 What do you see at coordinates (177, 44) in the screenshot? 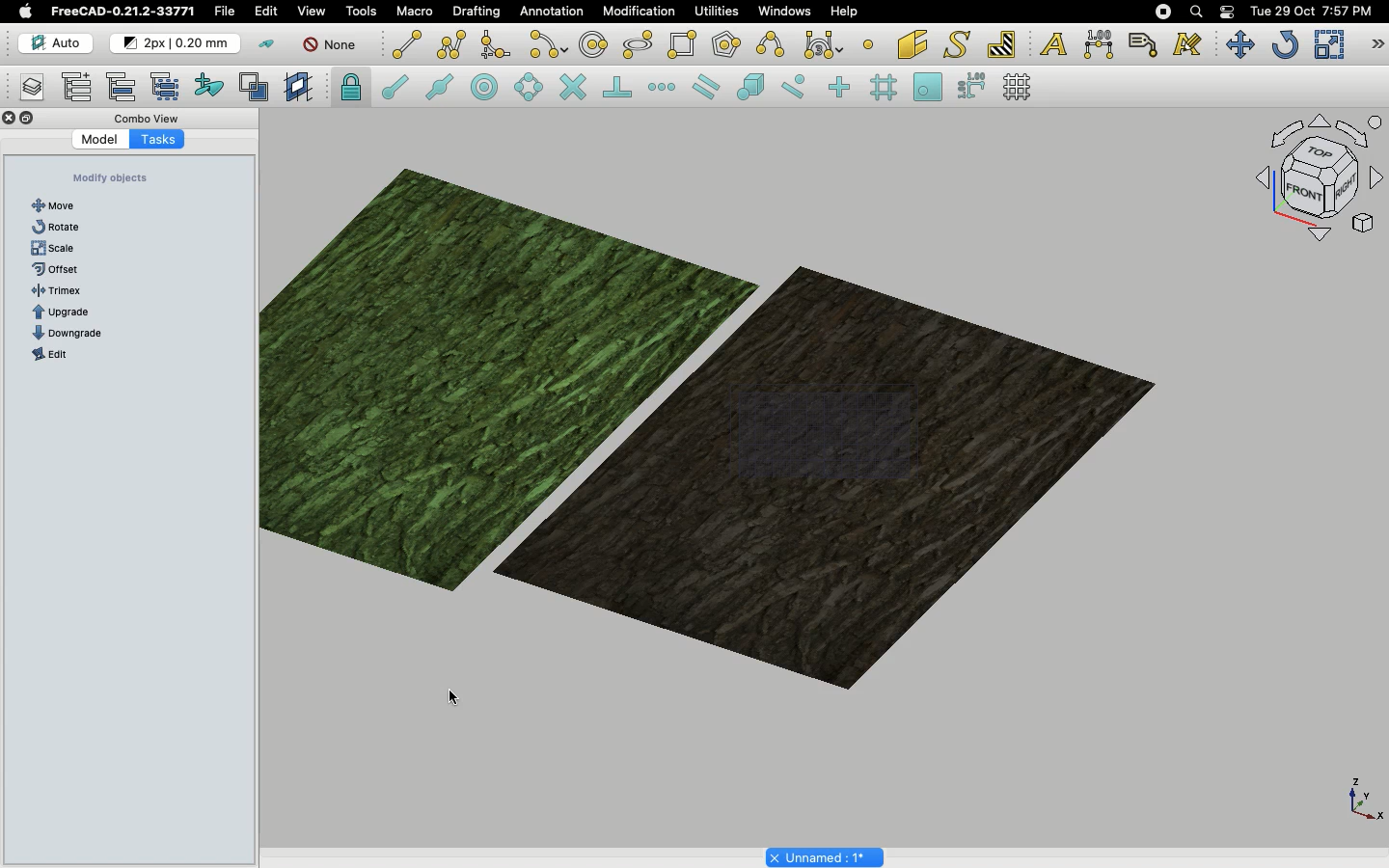
I see `Change default for new objects` at bounding box center [177, 44].